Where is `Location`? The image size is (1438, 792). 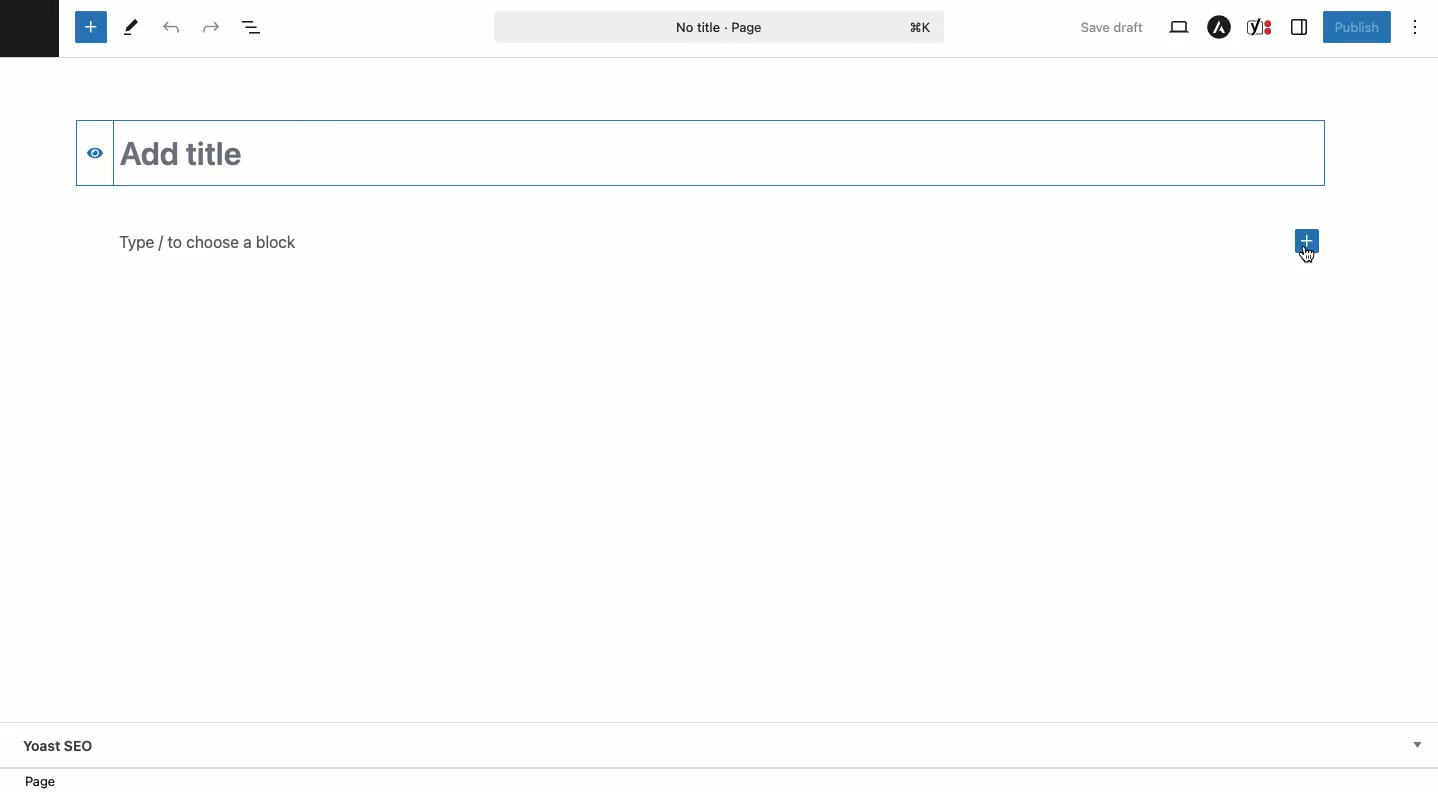
Location is located at coordinates (53, 780).